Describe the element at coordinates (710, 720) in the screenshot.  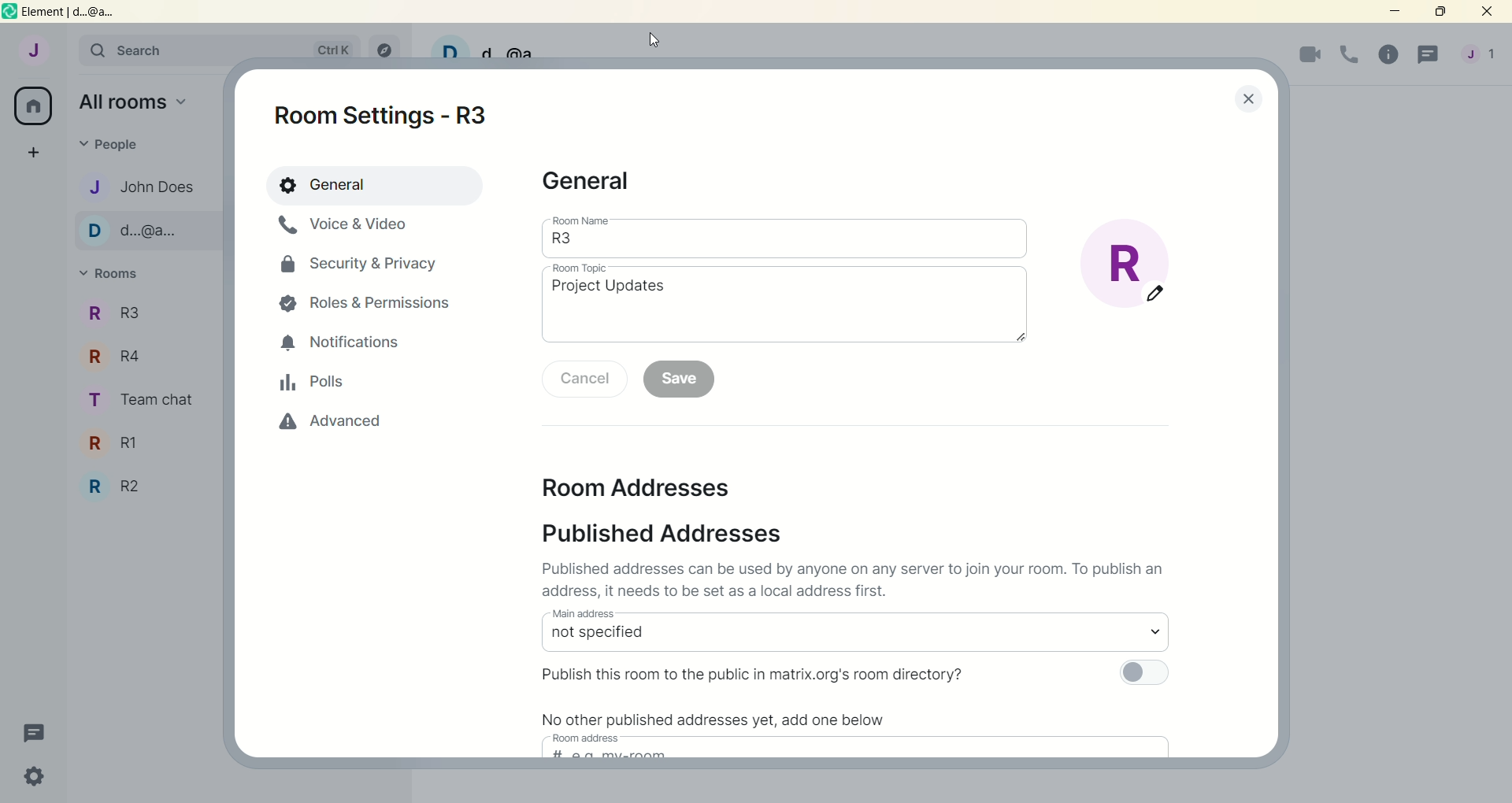
I see `No other published addresses yet, add one below` at that location.